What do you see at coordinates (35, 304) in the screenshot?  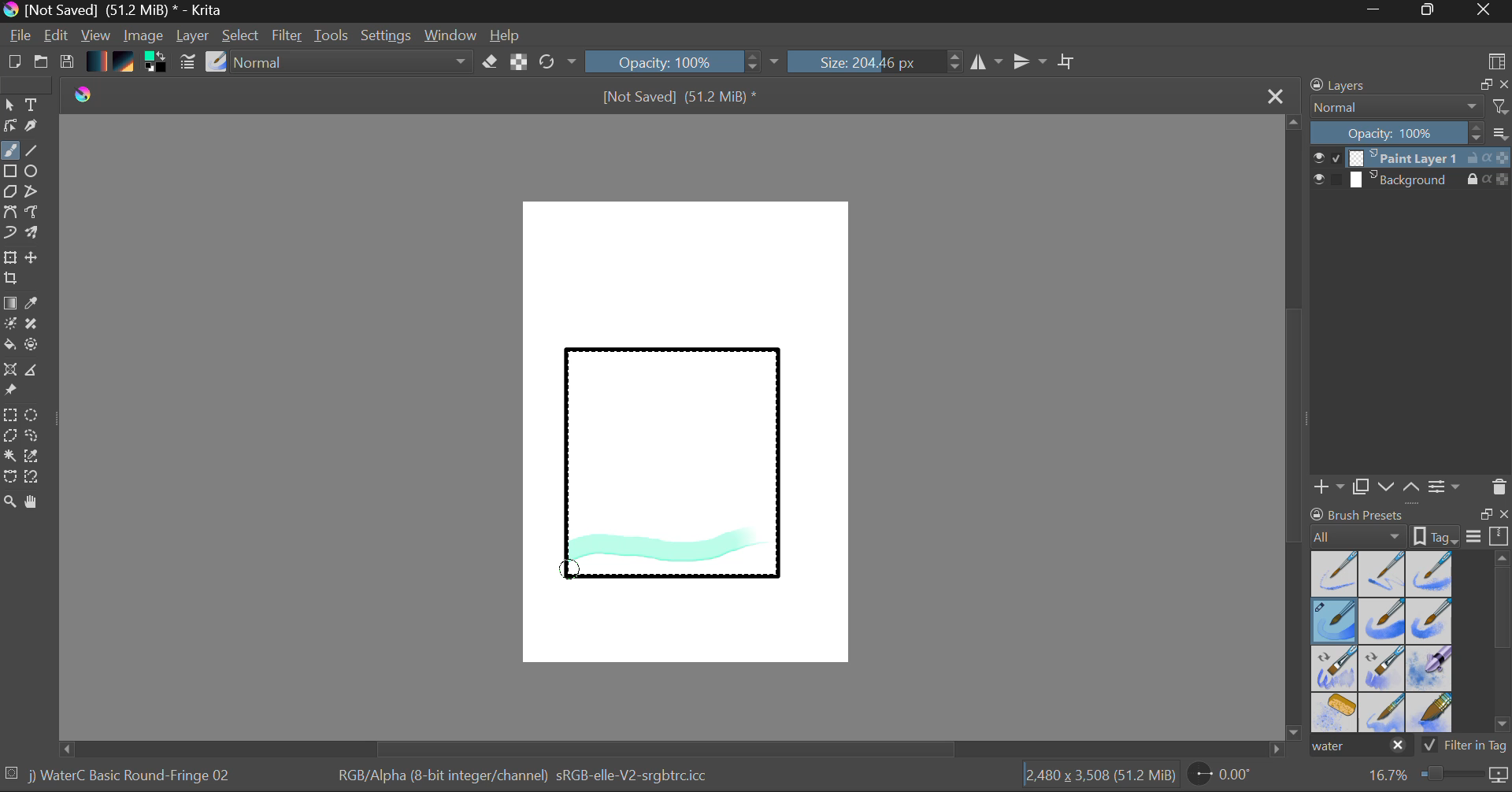 I see `Eyedropper` at bounding box center [35, 304].